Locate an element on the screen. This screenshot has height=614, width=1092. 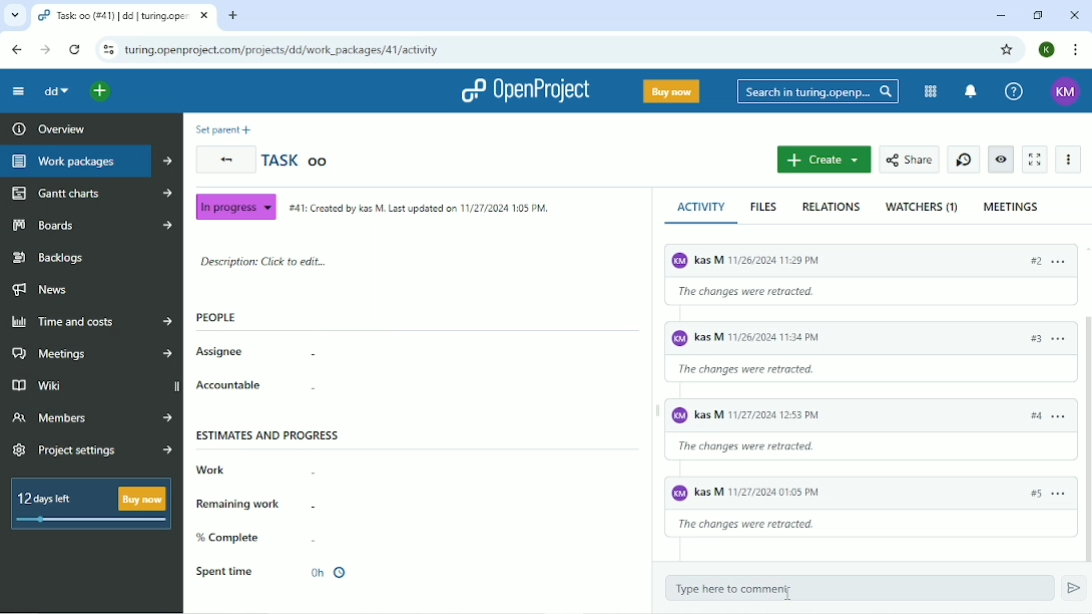
Search in turing.openprojects.com is located at coordinates (817, 91).